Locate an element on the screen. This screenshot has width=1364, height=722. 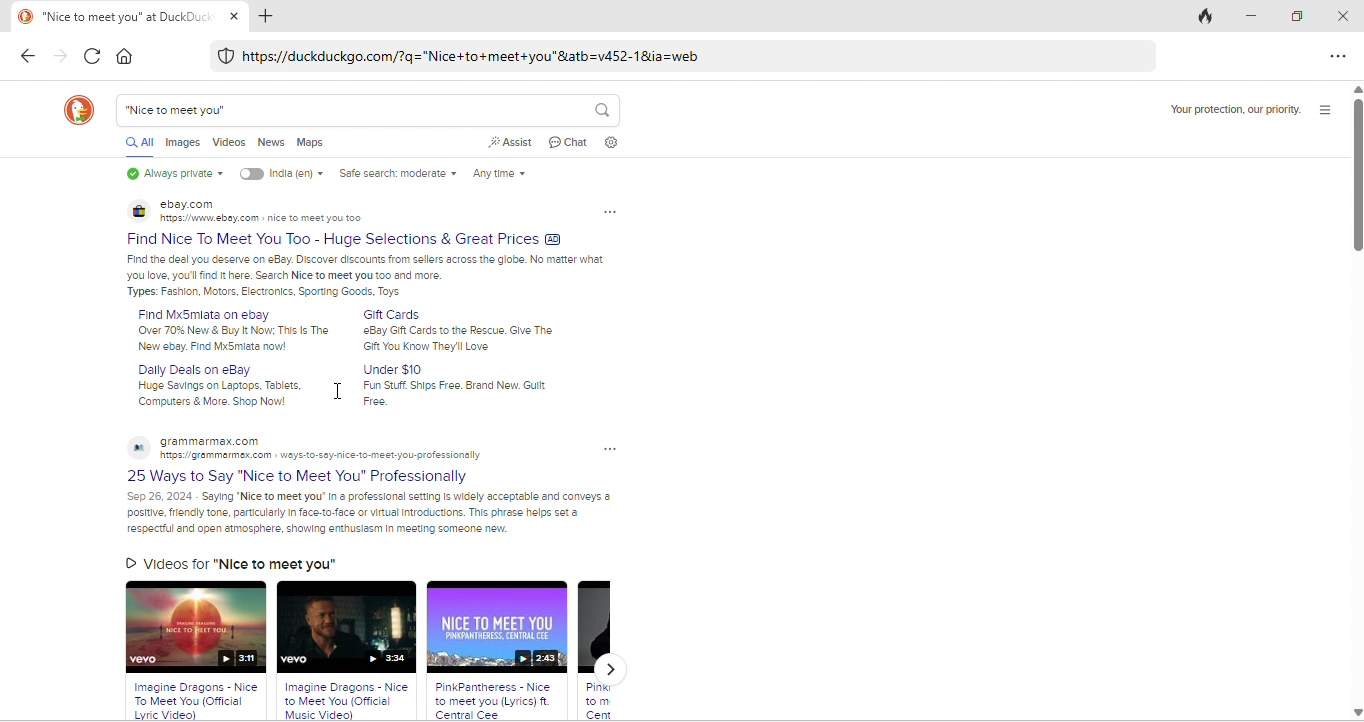
© Videos for "Nice to meet you" is located at coordinates (229, 562).